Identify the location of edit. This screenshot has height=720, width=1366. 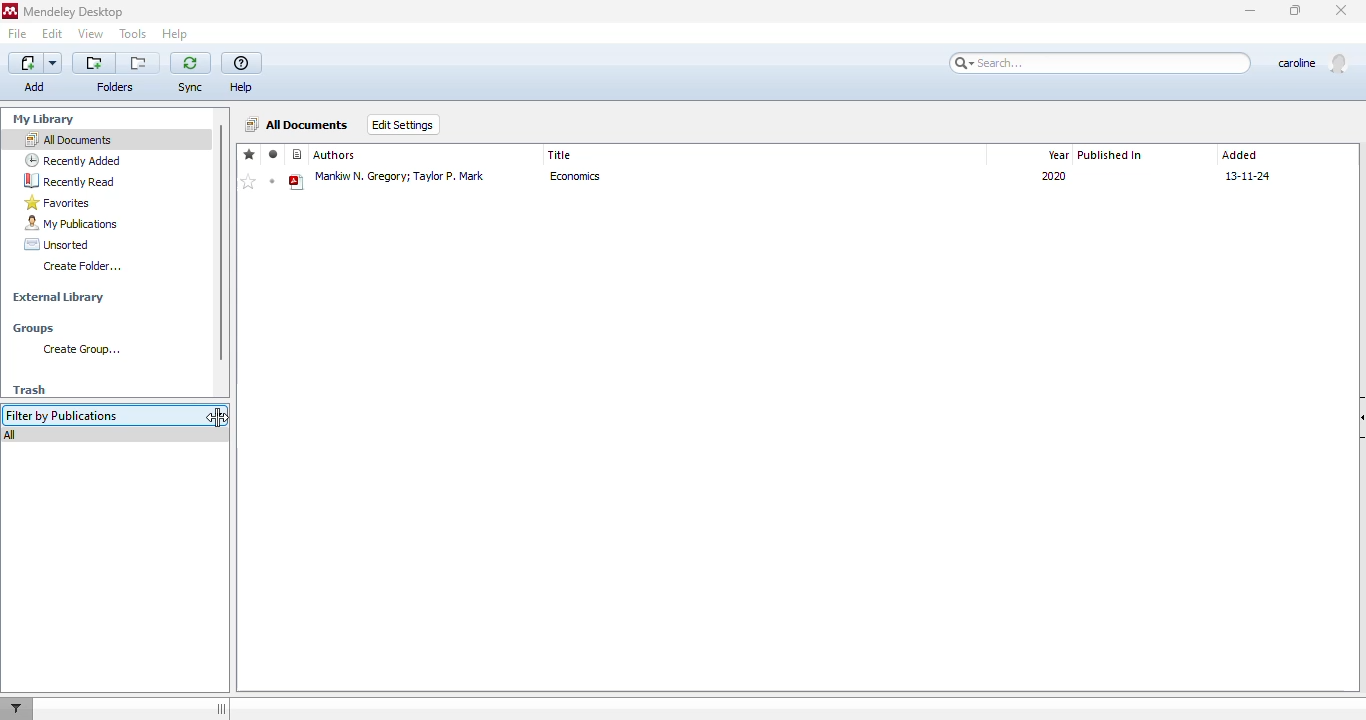
(53, 33).